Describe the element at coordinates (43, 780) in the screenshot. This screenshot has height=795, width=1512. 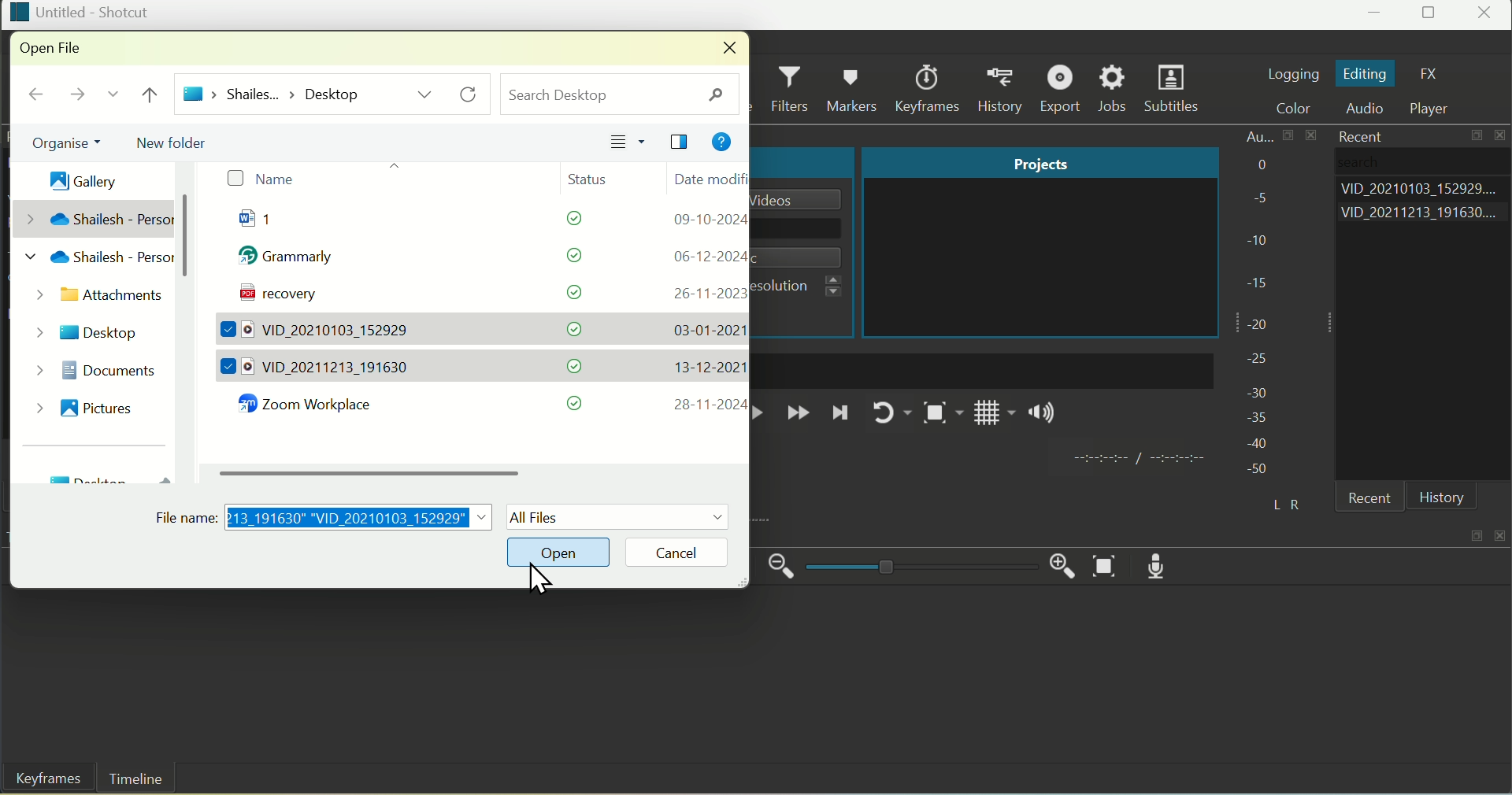
I see `Keyframes` at that location.